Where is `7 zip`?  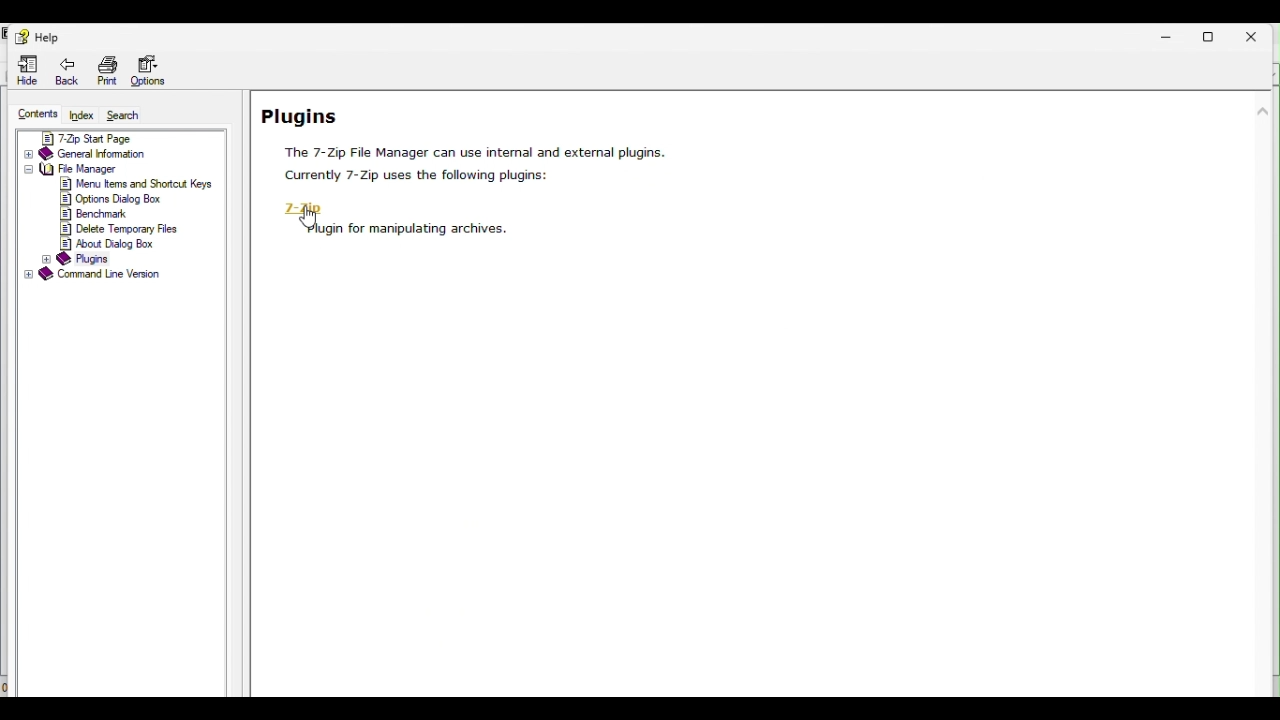 7 zip is located at coordinates (303, 210).